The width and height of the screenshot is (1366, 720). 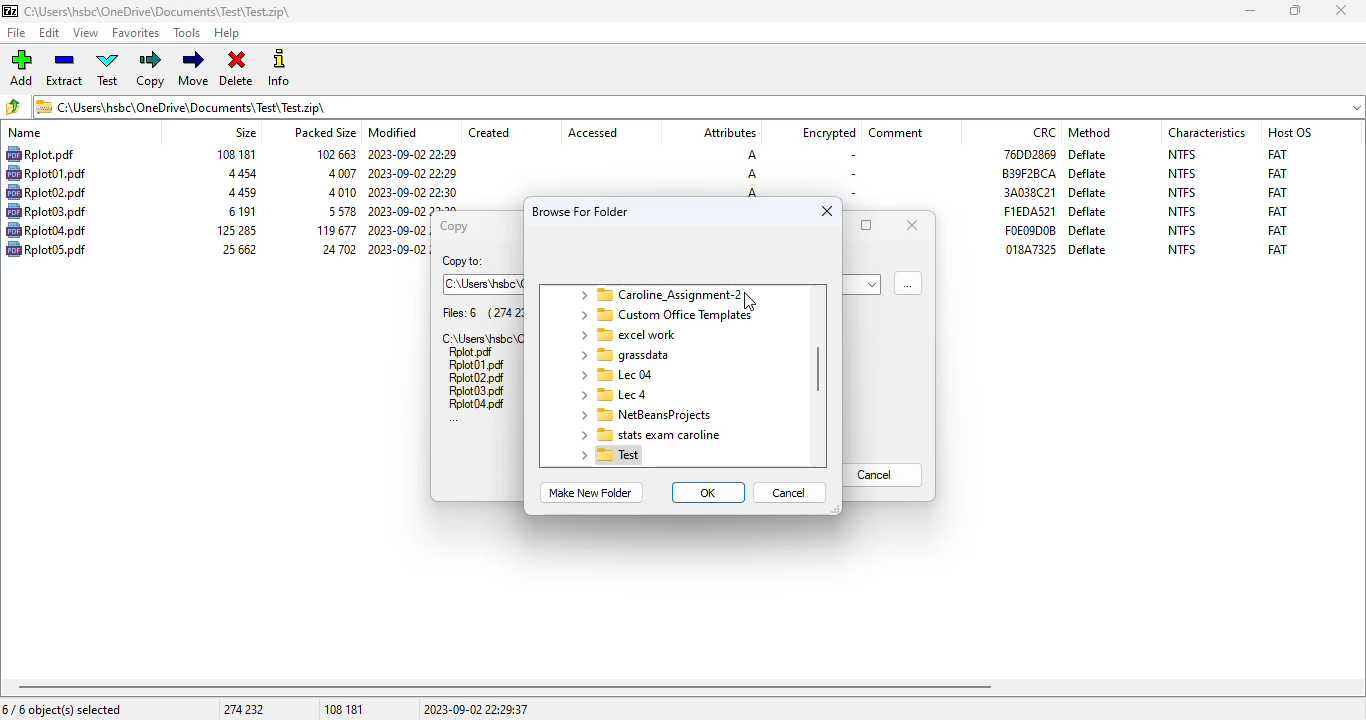 I want to click on size, so click(x=239, y=174).